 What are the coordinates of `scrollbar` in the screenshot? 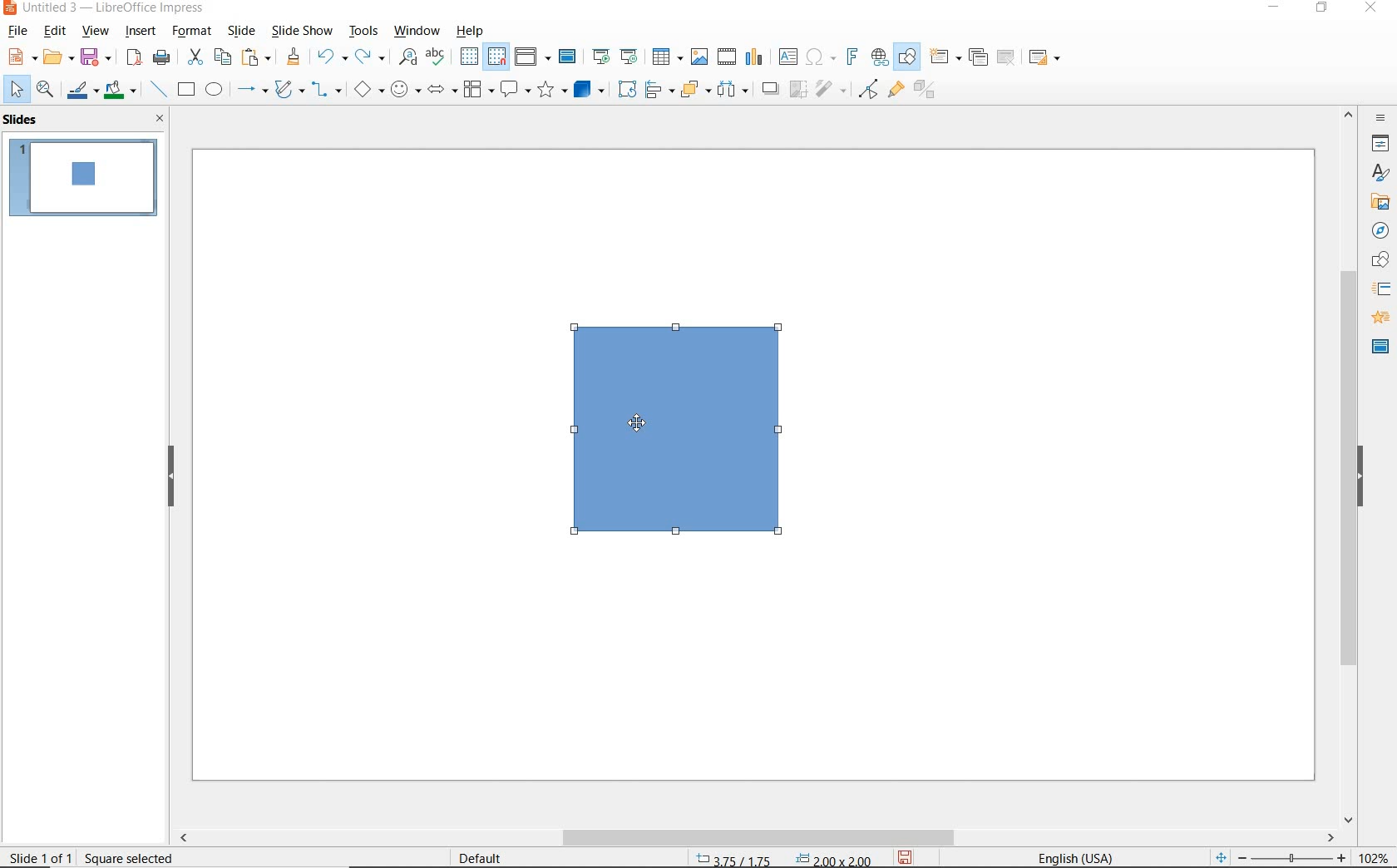 It's located at (758, 838).